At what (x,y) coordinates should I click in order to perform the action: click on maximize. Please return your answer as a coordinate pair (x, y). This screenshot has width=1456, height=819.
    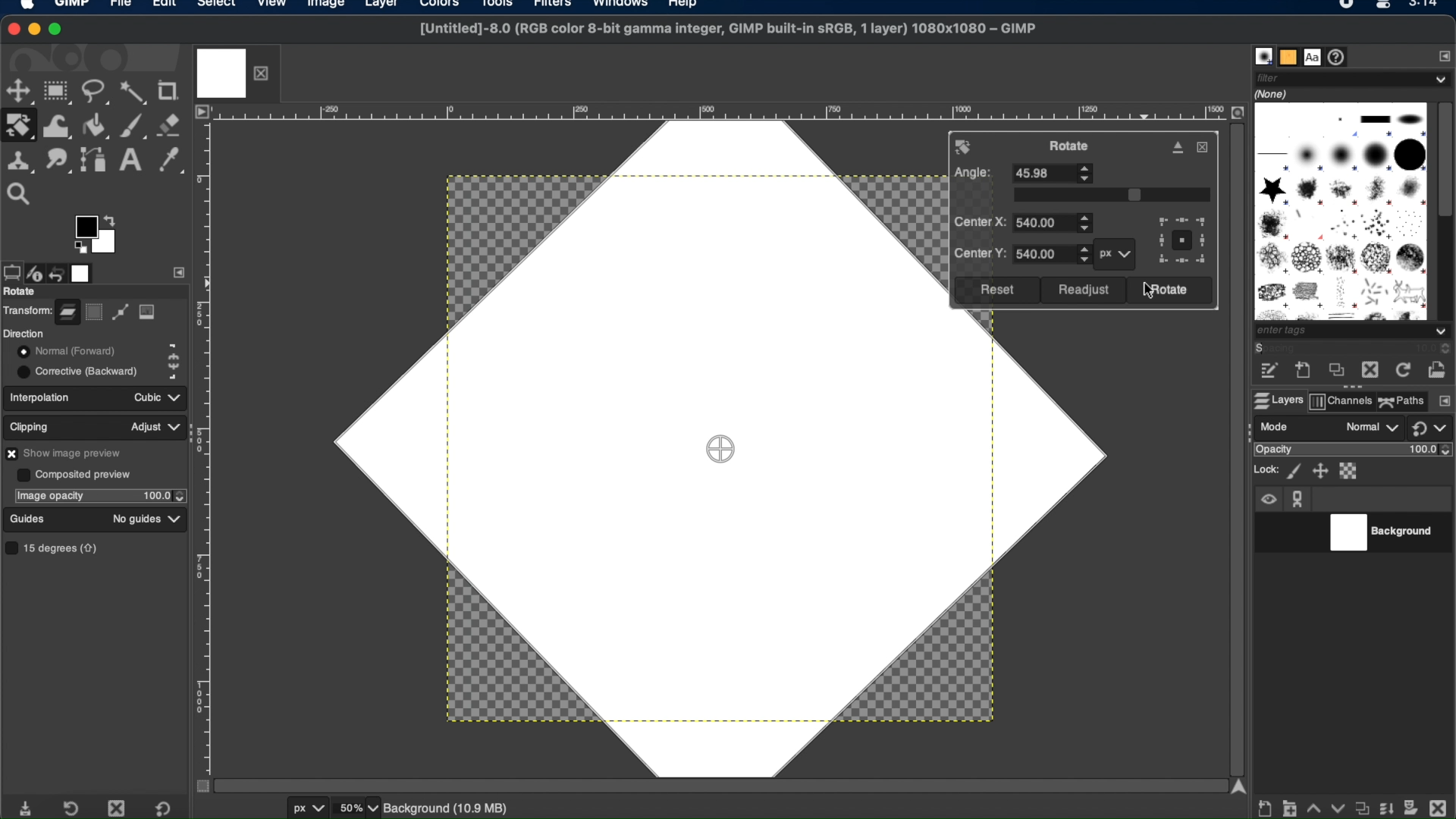
    Looking at the image, I should click on (58, 30).